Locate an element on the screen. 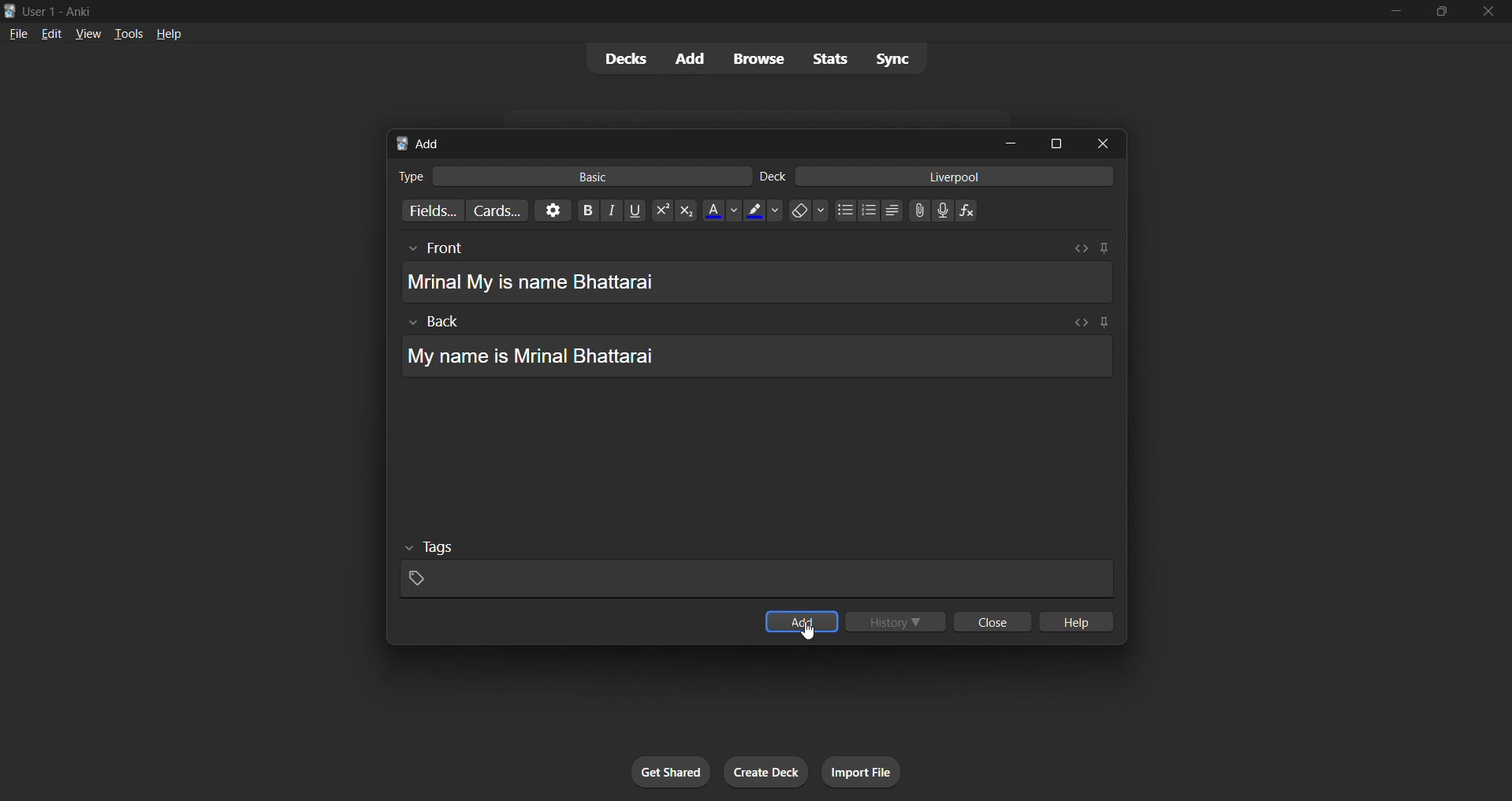 The image size is (1512, 801). insert equation is located at coordinates (967, 207).